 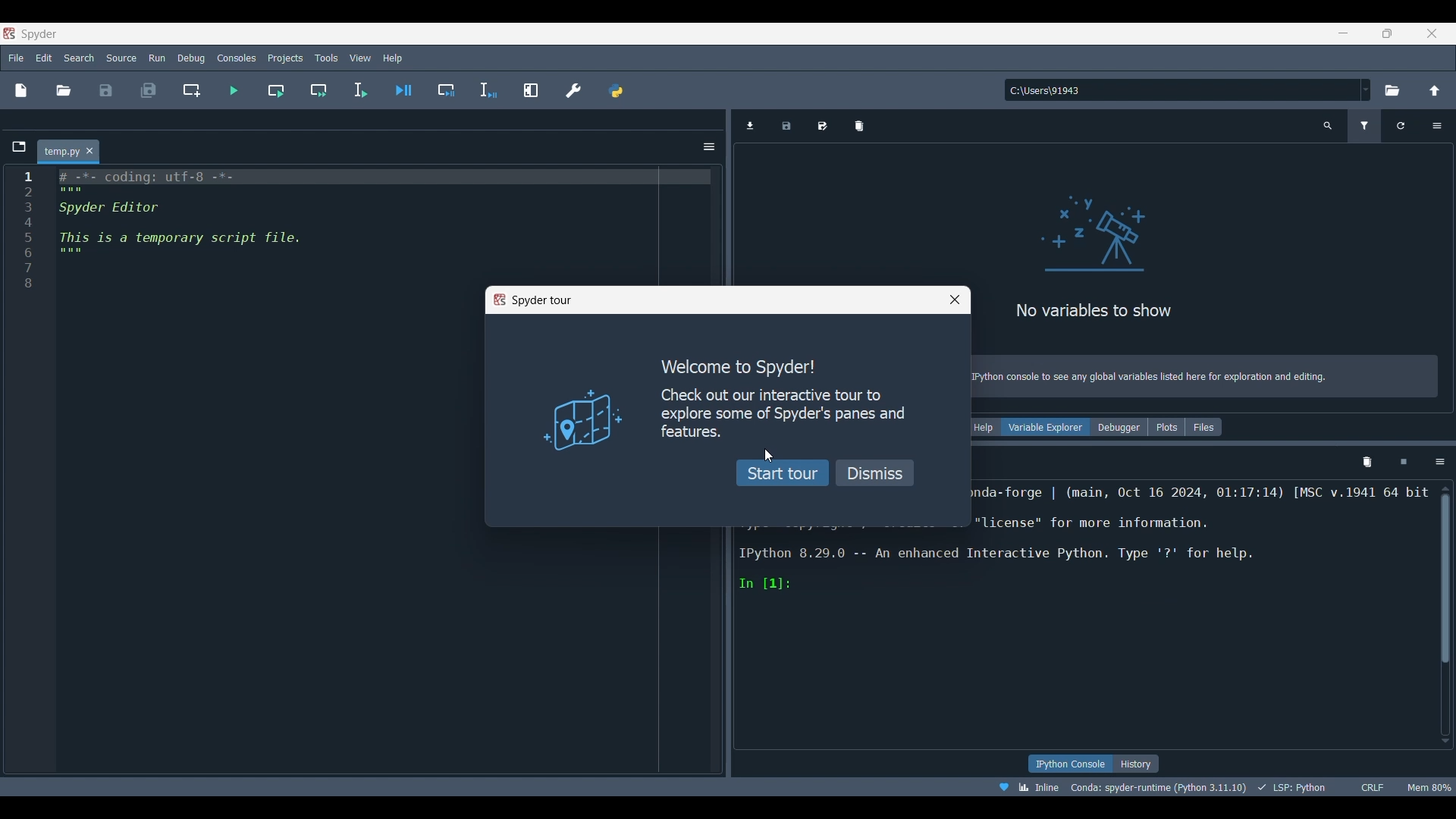 What do you see at coordinates (121, 58) in the screenshot?
I see `Source menu` at bounding box center [121, 58].